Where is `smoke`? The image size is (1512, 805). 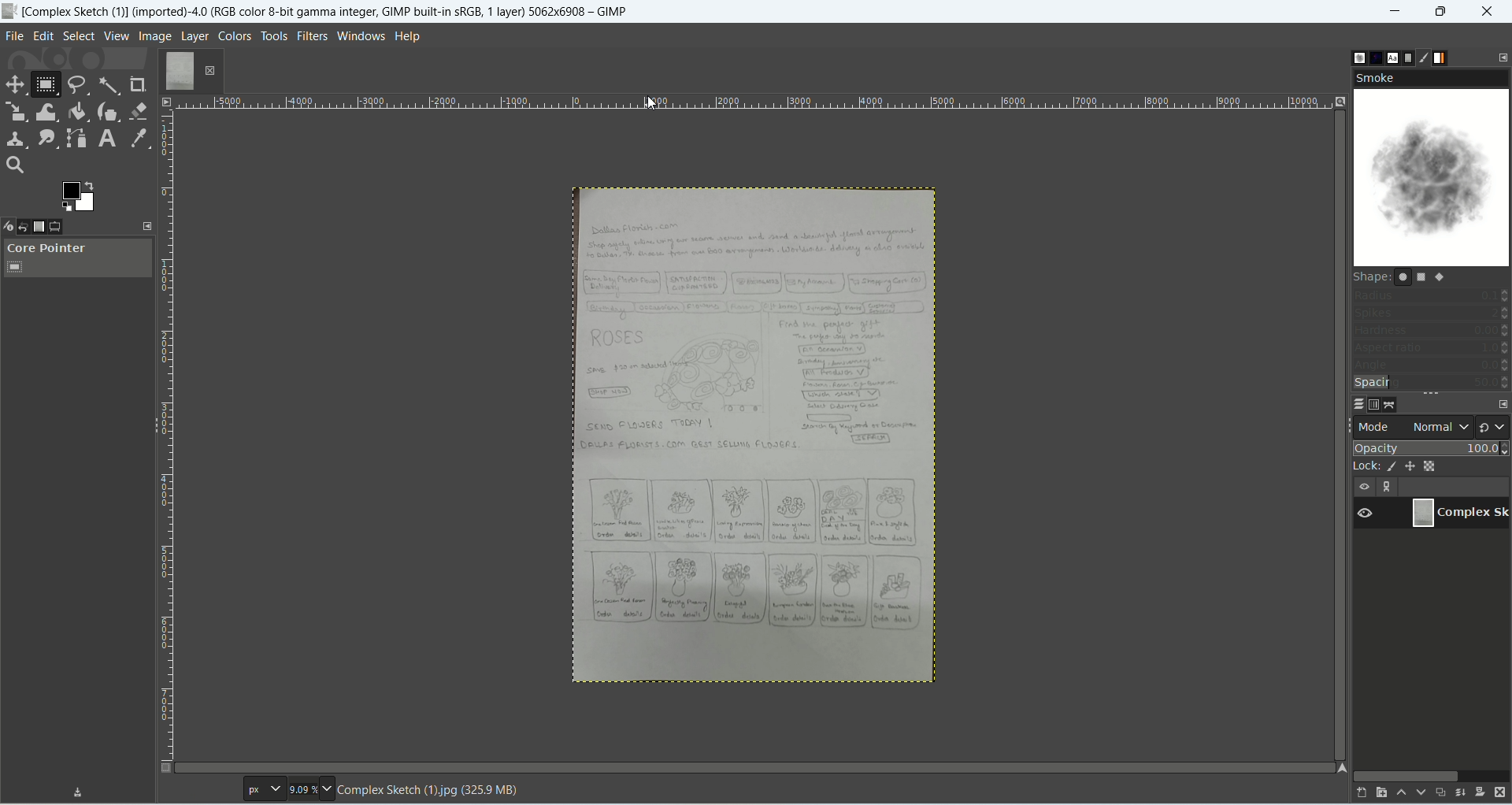 smoke is located at coordinates (1433, 179).